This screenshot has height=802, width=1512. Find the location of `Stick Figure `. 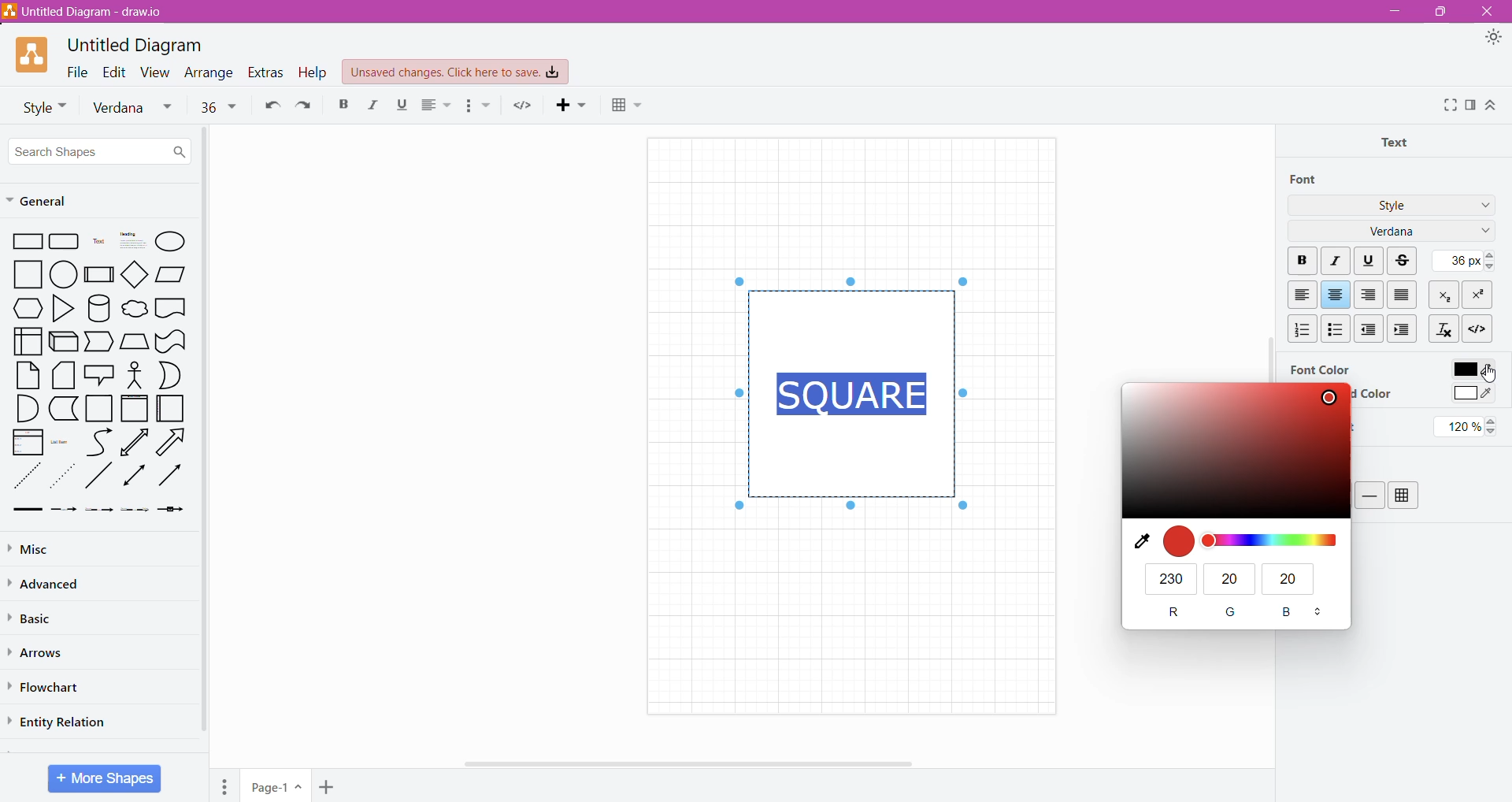

Stick Figure  is located at coordinates (135, 373).